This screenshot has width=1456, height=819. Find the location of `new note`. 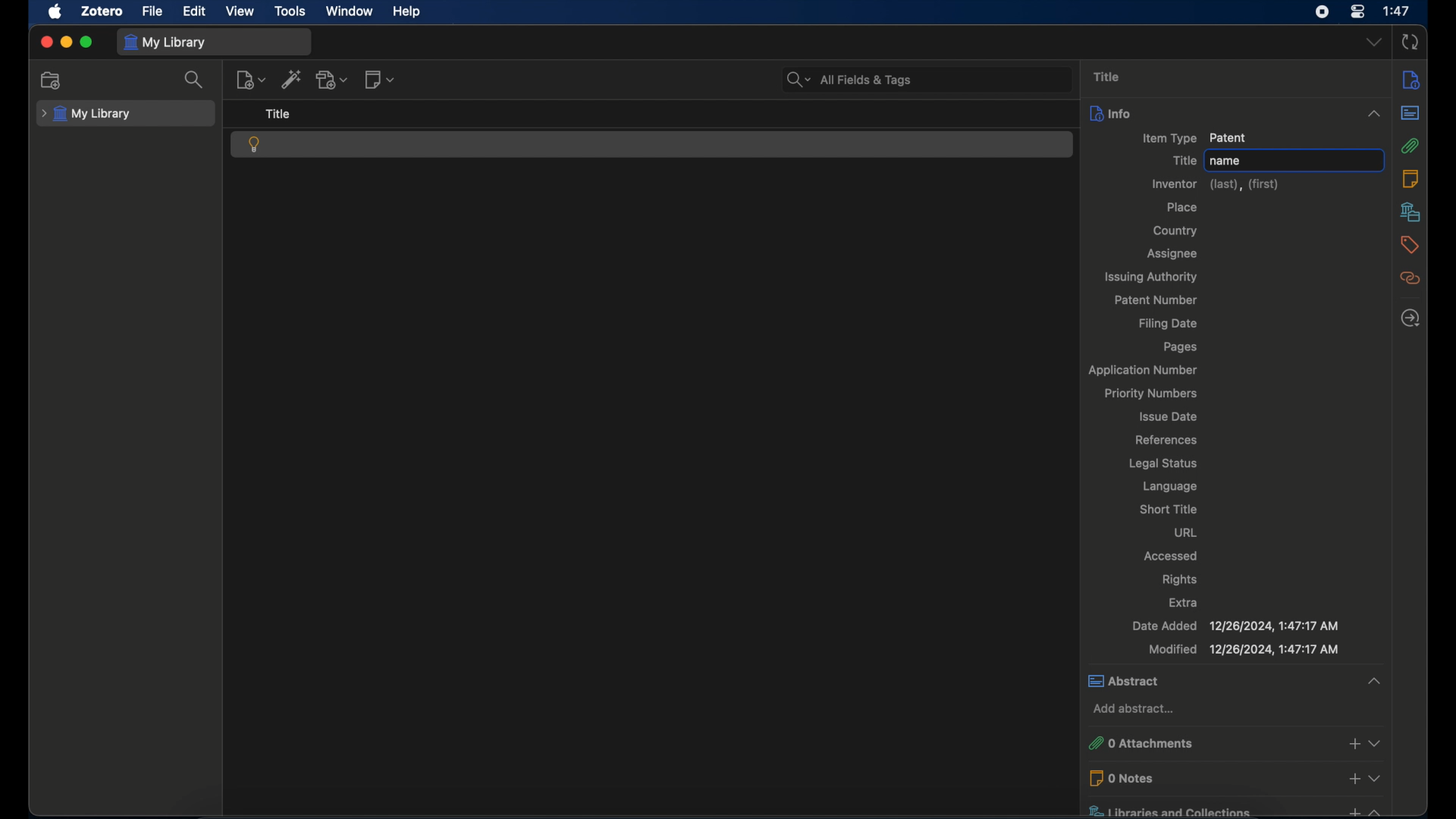

new note is located at coordinates (378, 80).